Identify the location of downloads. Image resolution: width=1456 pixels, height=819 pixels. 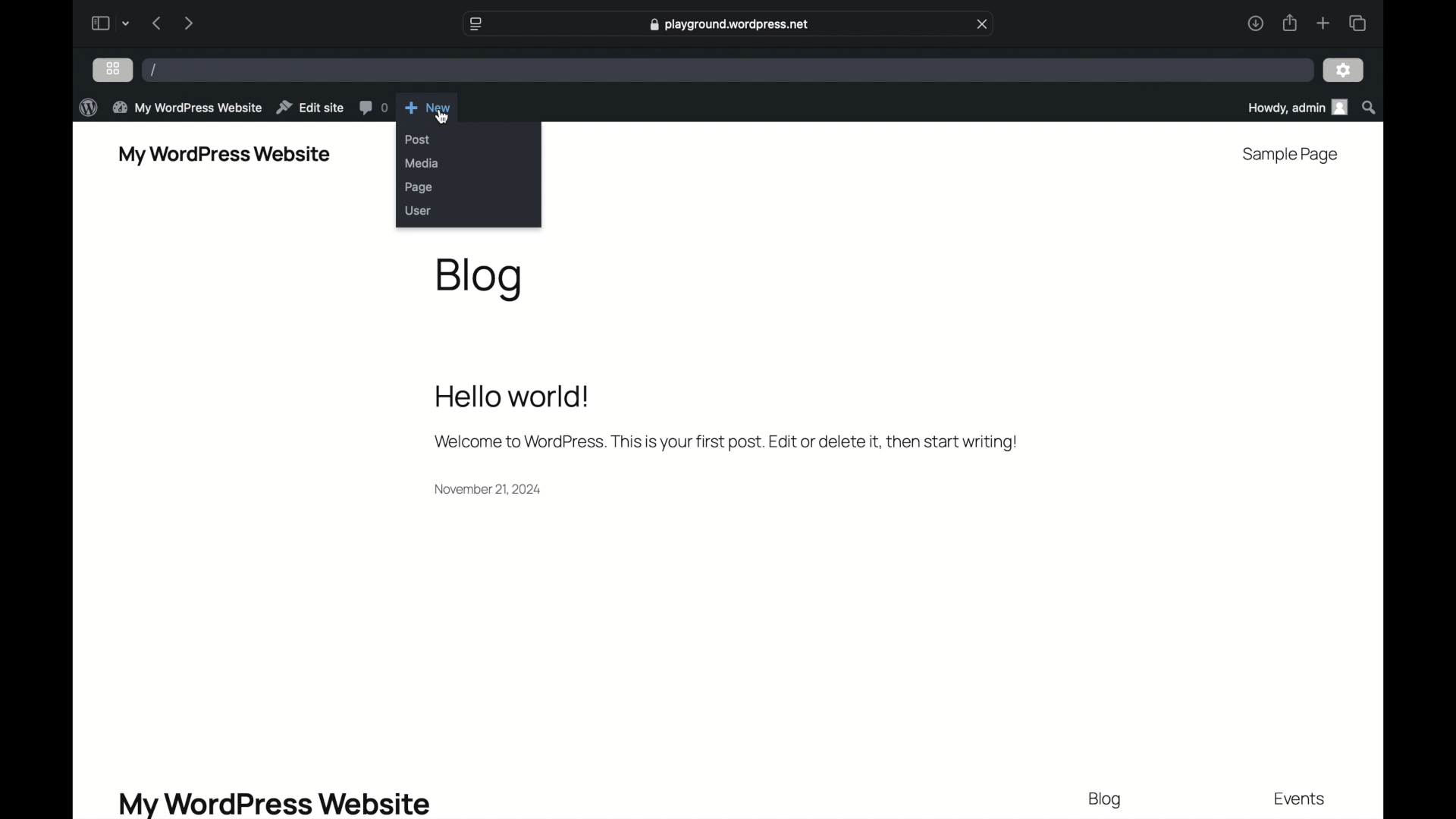
(1256, 23).